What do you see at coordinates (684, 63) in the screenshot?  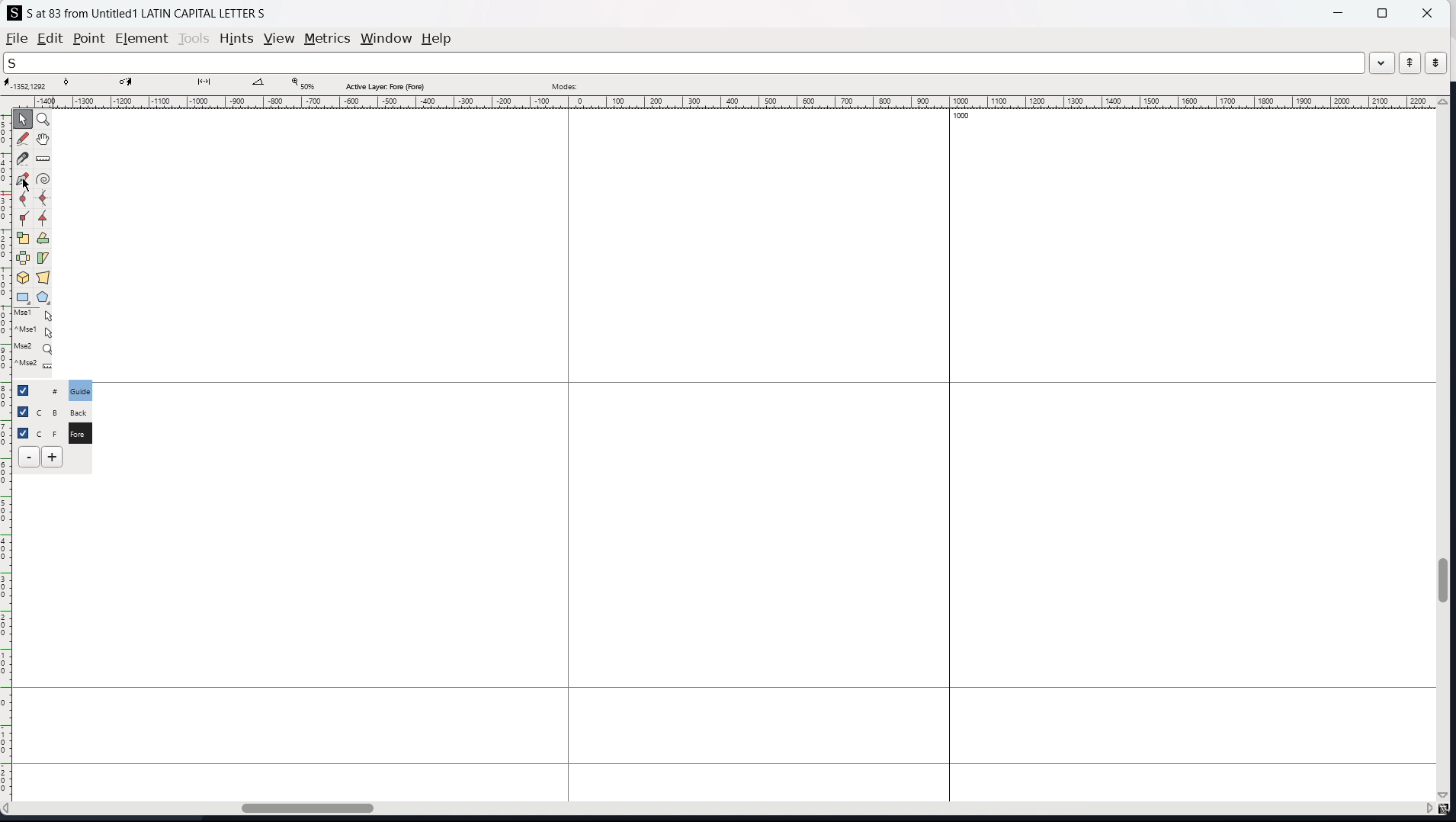 I see `search  the word list` at bounding box center [684, 63].